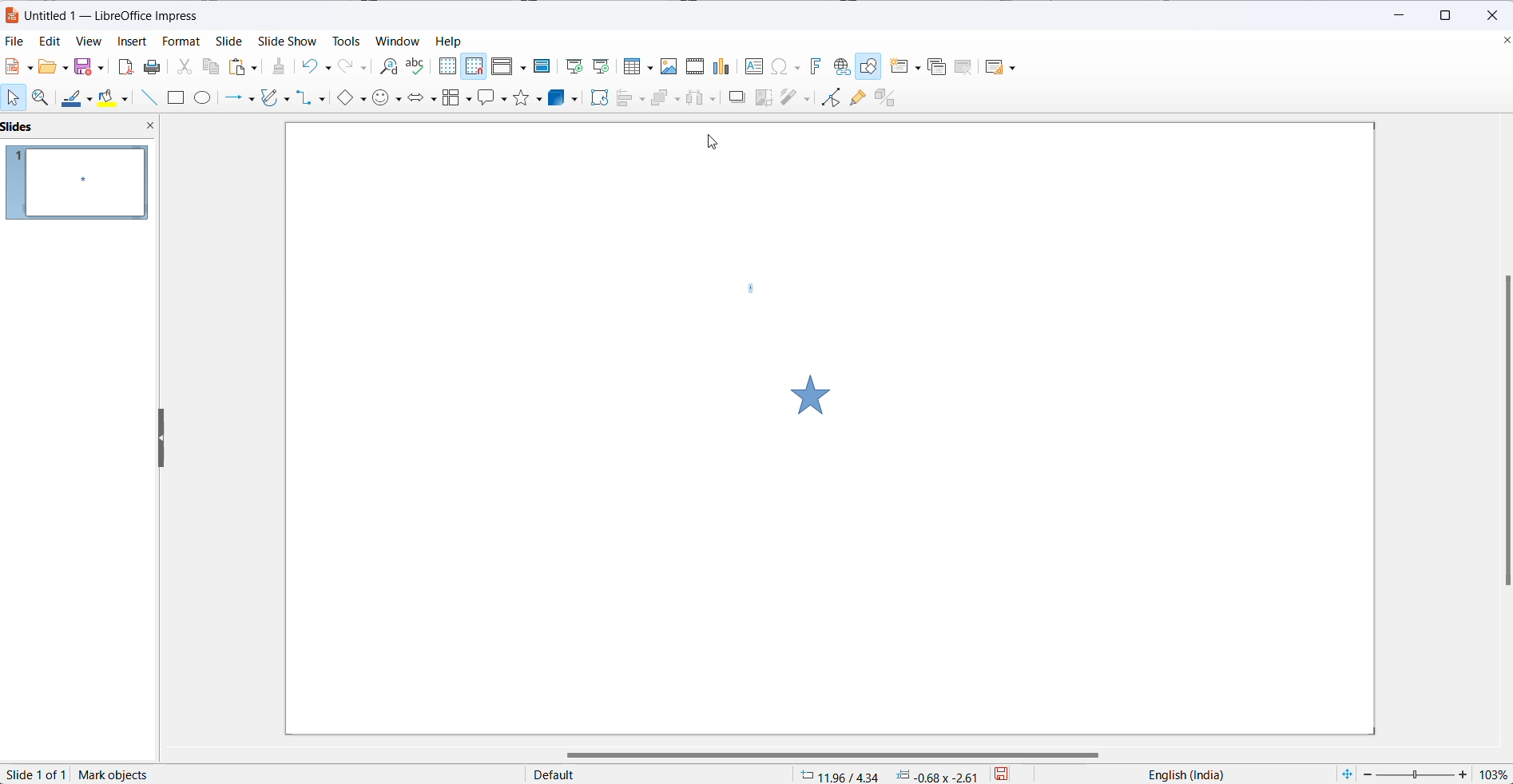  I want to click on 3d objects, so click(565, 98).